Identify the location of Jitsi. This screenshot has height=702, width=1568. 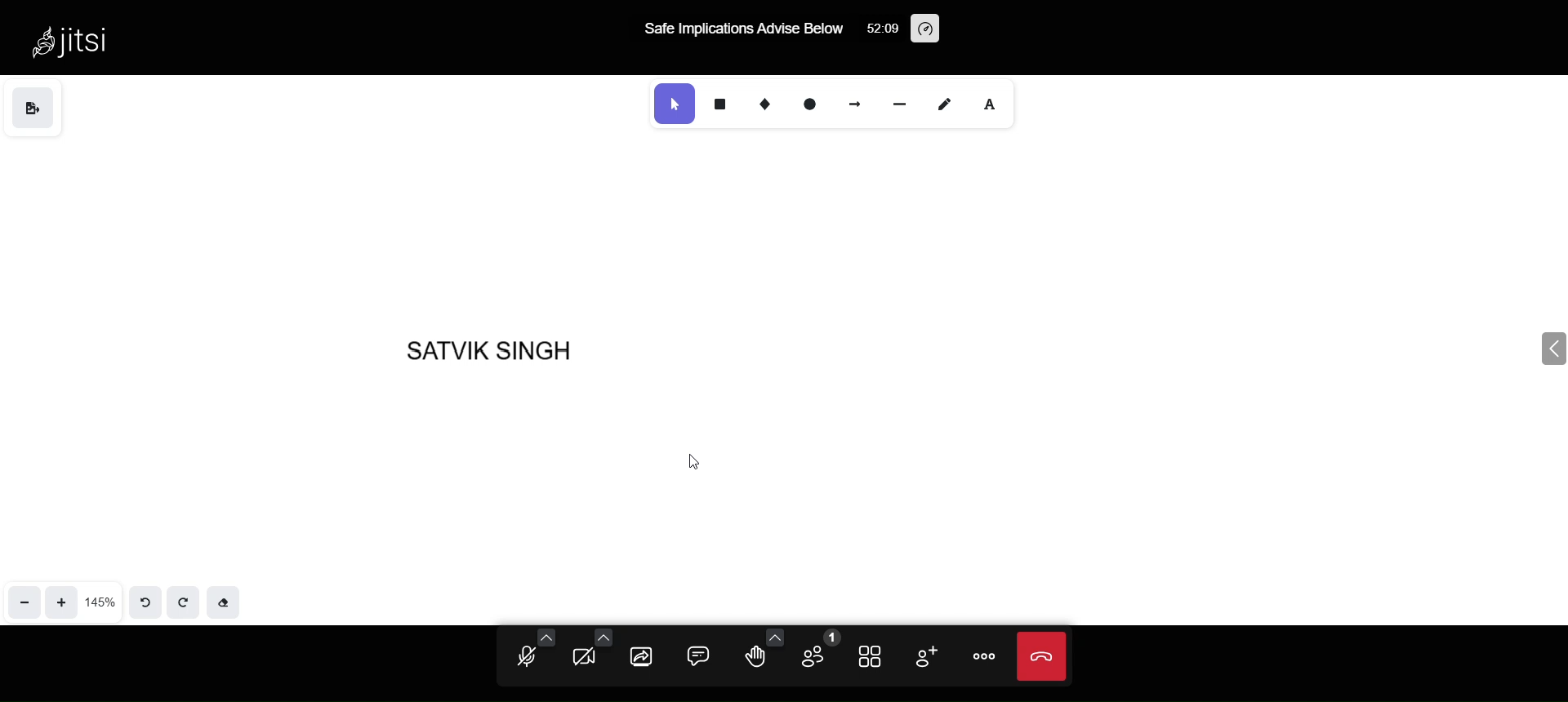
(79, 40).